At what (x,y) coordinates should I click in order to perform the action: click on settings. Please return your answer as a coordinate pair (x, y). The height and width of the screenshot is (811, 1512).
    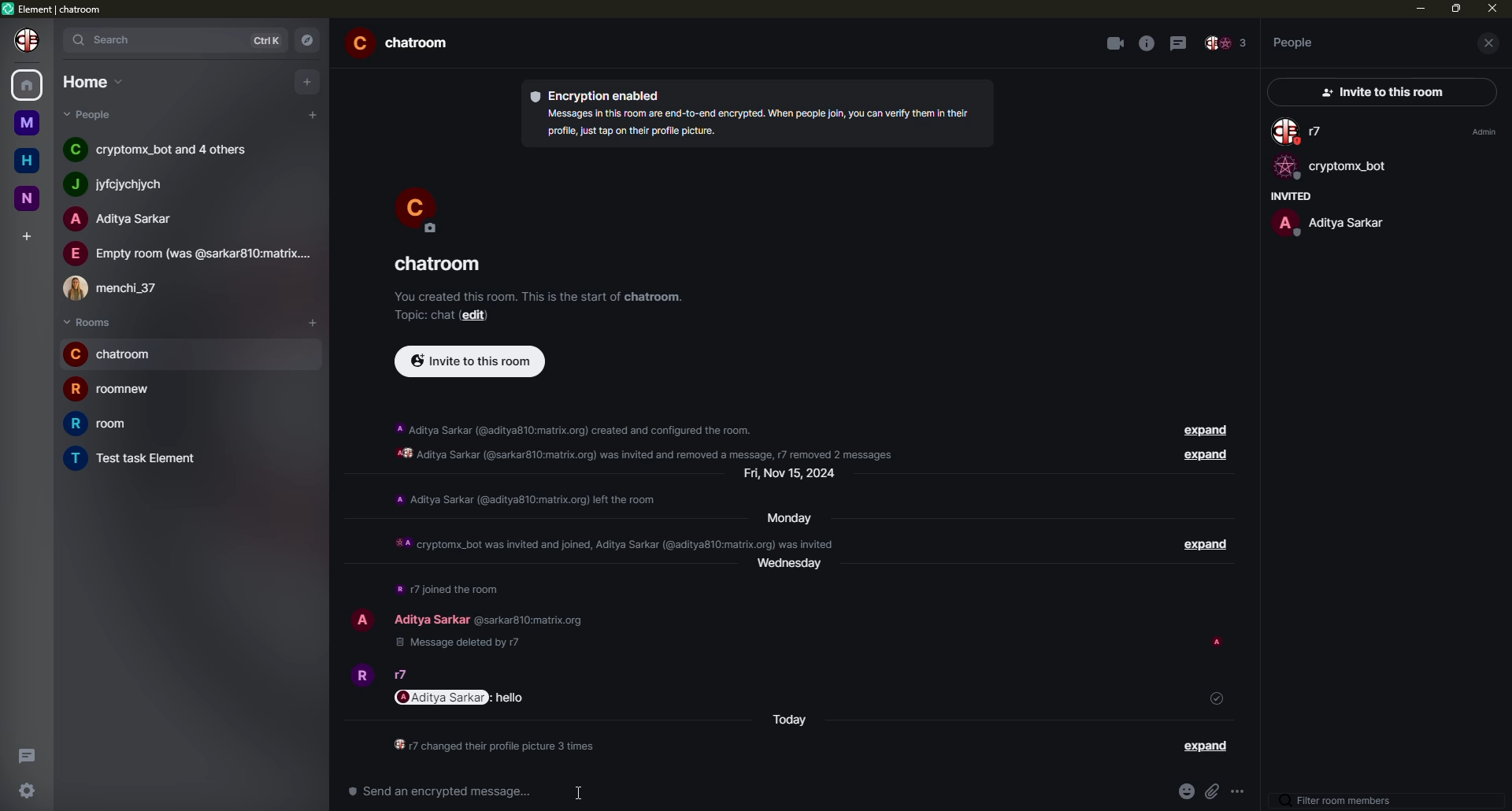
    Looking at the image, I should click on (28, 789).